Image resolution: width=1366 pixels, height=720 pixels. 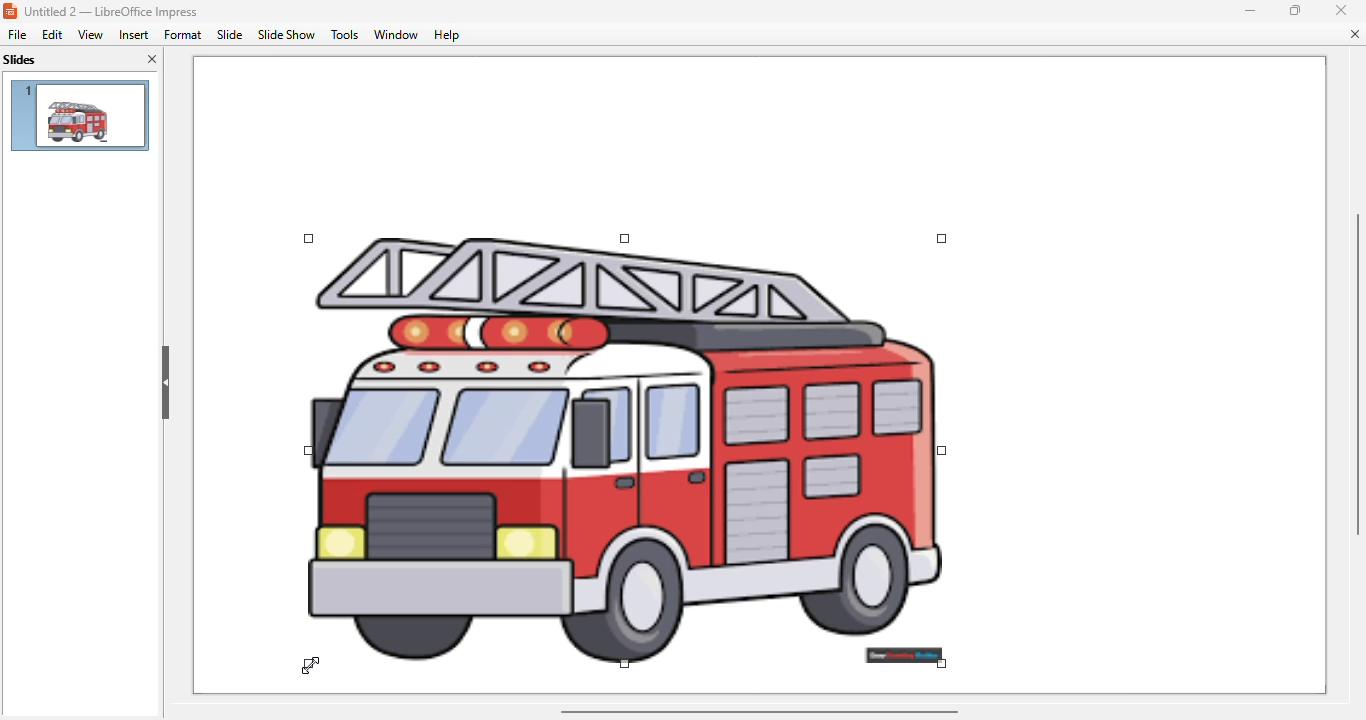 What do you see at coordinates (447, 35) in the screenshot?
I see `help` at bounding box center [447, 35].